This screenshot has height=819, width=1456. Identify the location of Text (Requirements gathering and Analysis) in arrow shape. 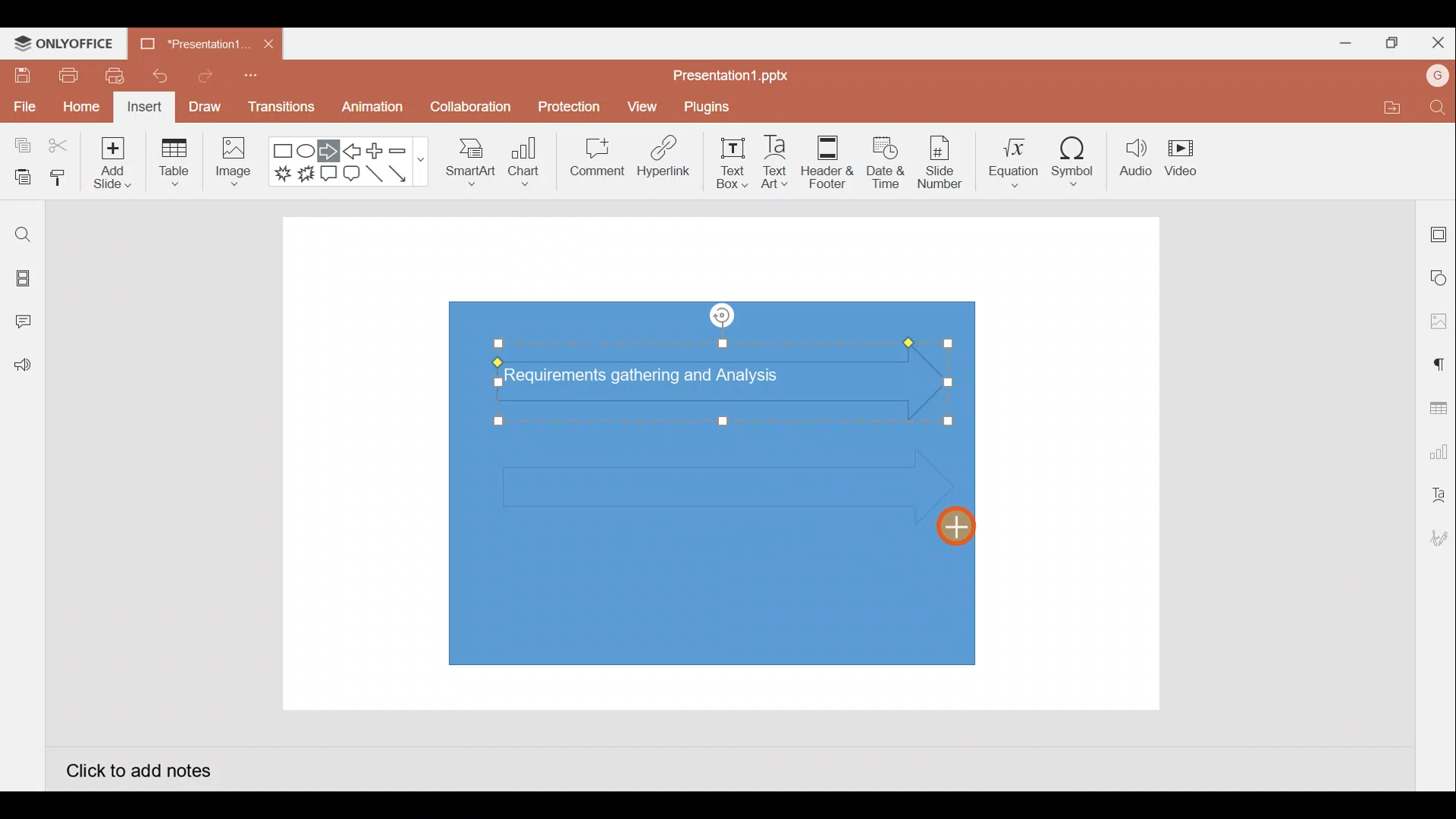
(654, 378).